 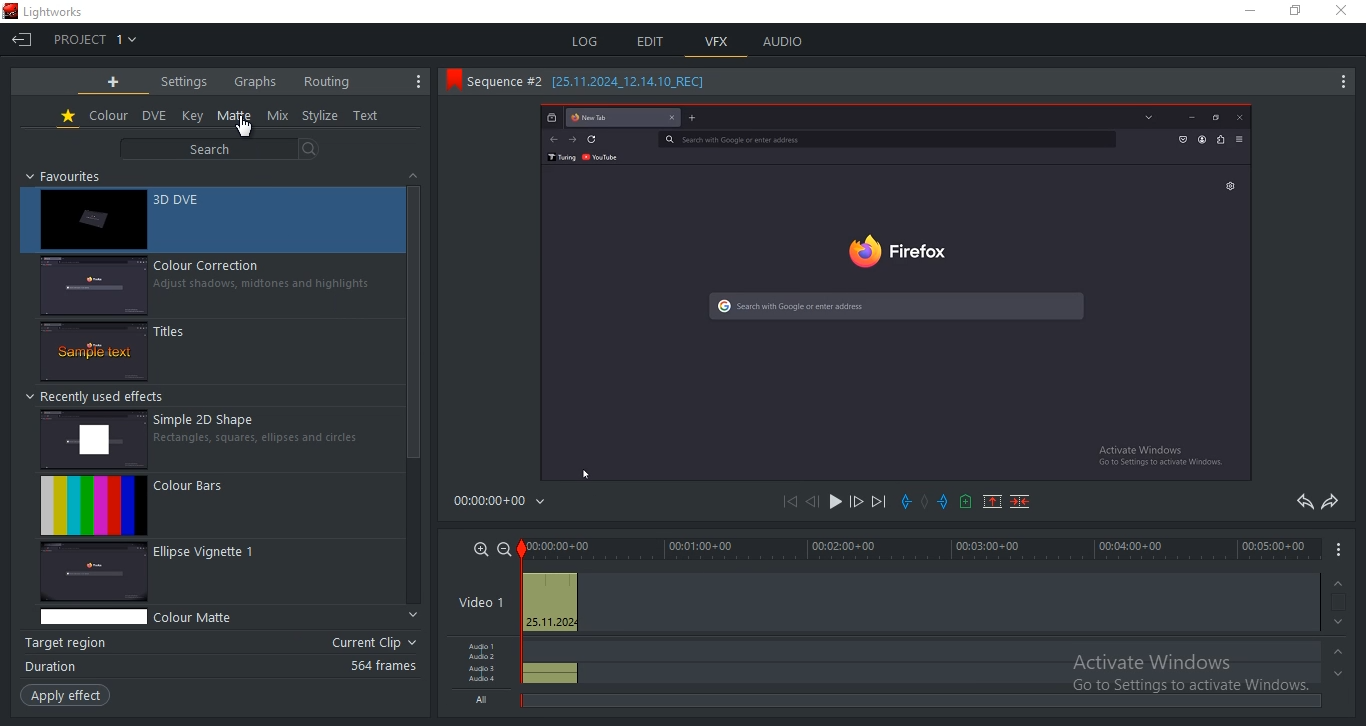 I want to click on time, so click(x=504, y=505).